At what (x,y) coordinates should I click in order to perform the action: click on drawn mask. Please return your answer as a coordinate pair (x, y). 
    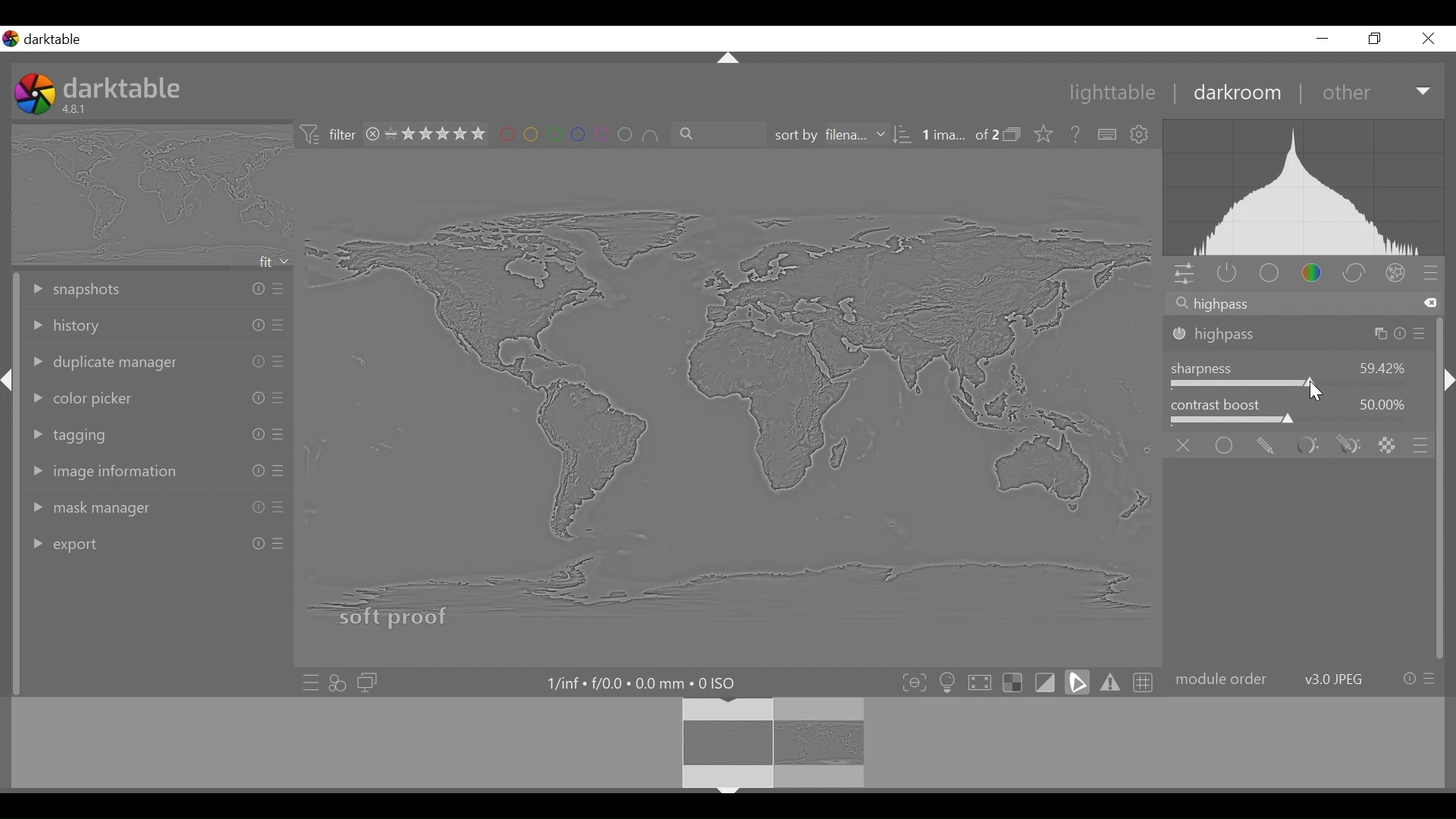
    Looking at the image, I should click on (1263, 444).